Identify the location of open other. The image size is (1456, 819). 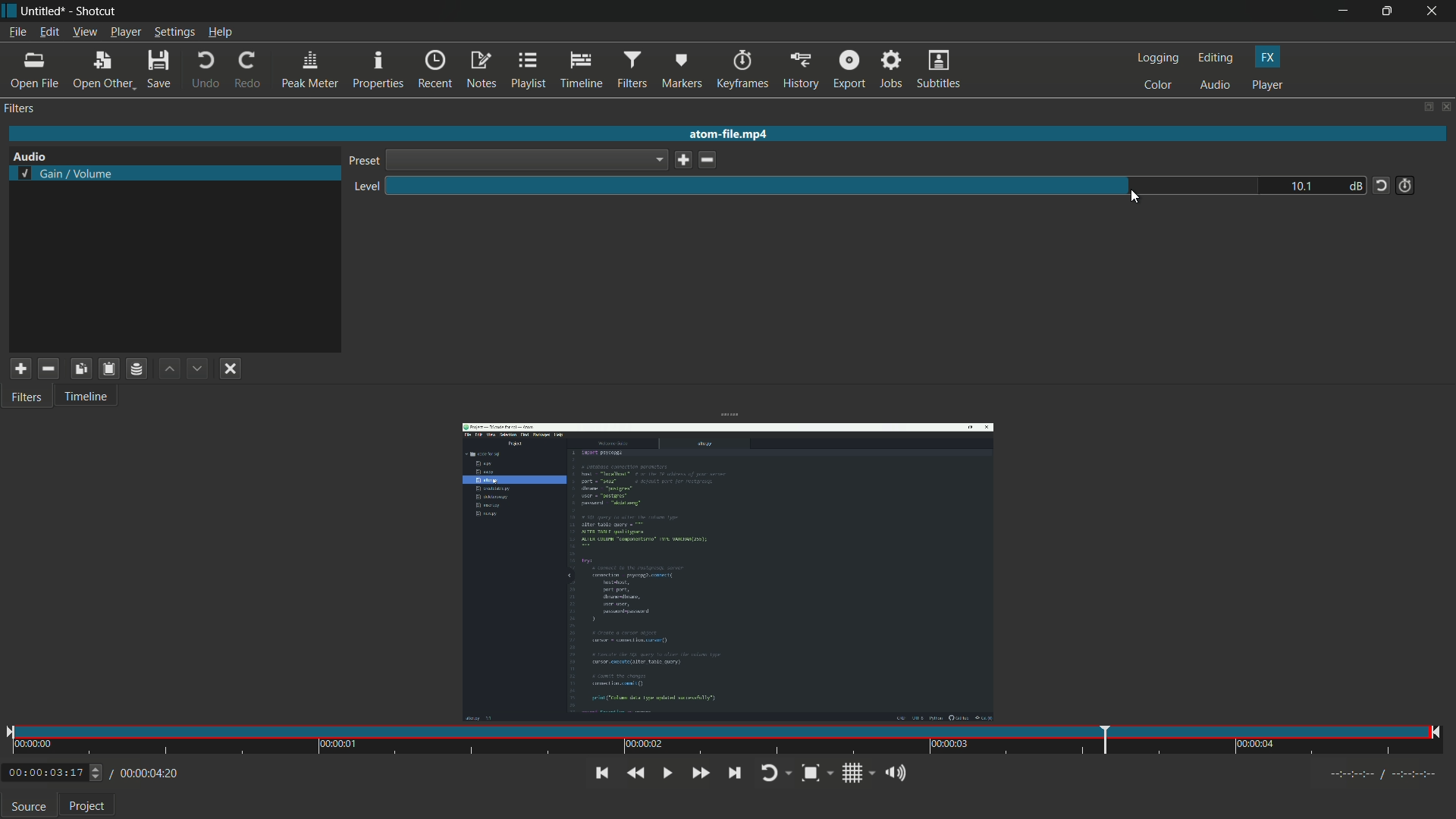
(102, 71).